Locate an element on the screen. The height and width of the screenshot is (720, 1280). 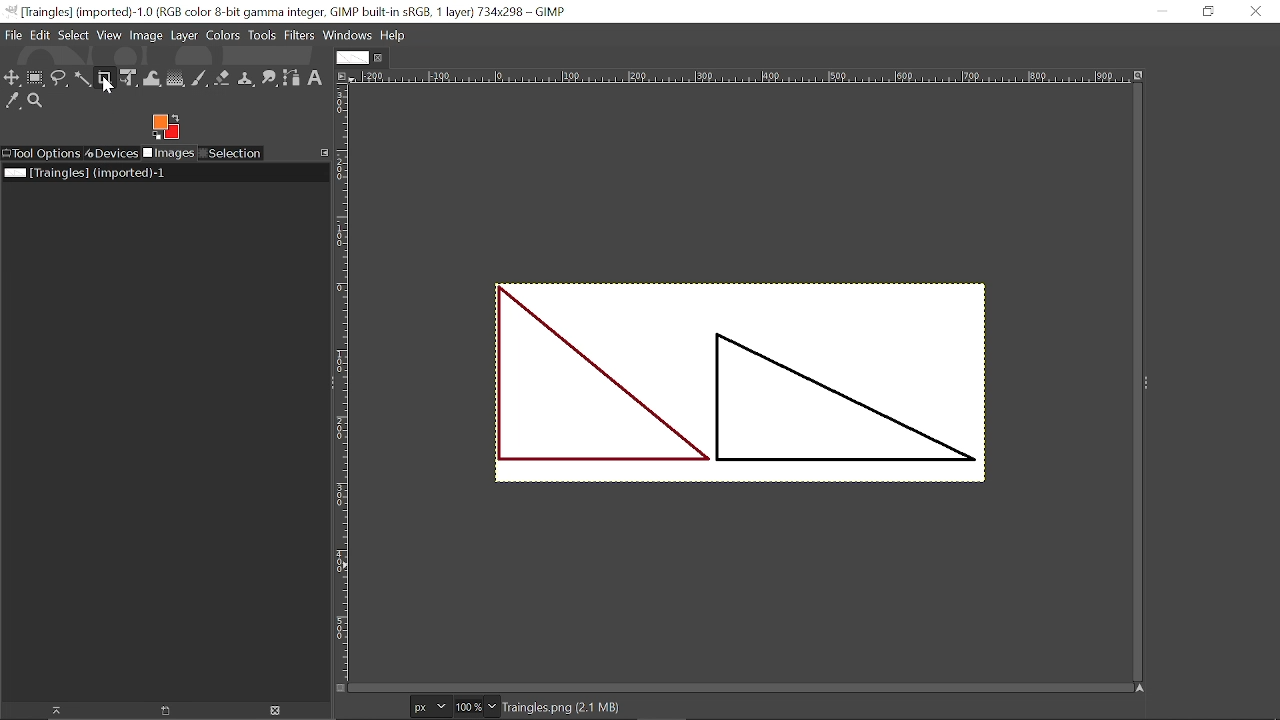
rectangle select tool is located at coordinates (37, 78).